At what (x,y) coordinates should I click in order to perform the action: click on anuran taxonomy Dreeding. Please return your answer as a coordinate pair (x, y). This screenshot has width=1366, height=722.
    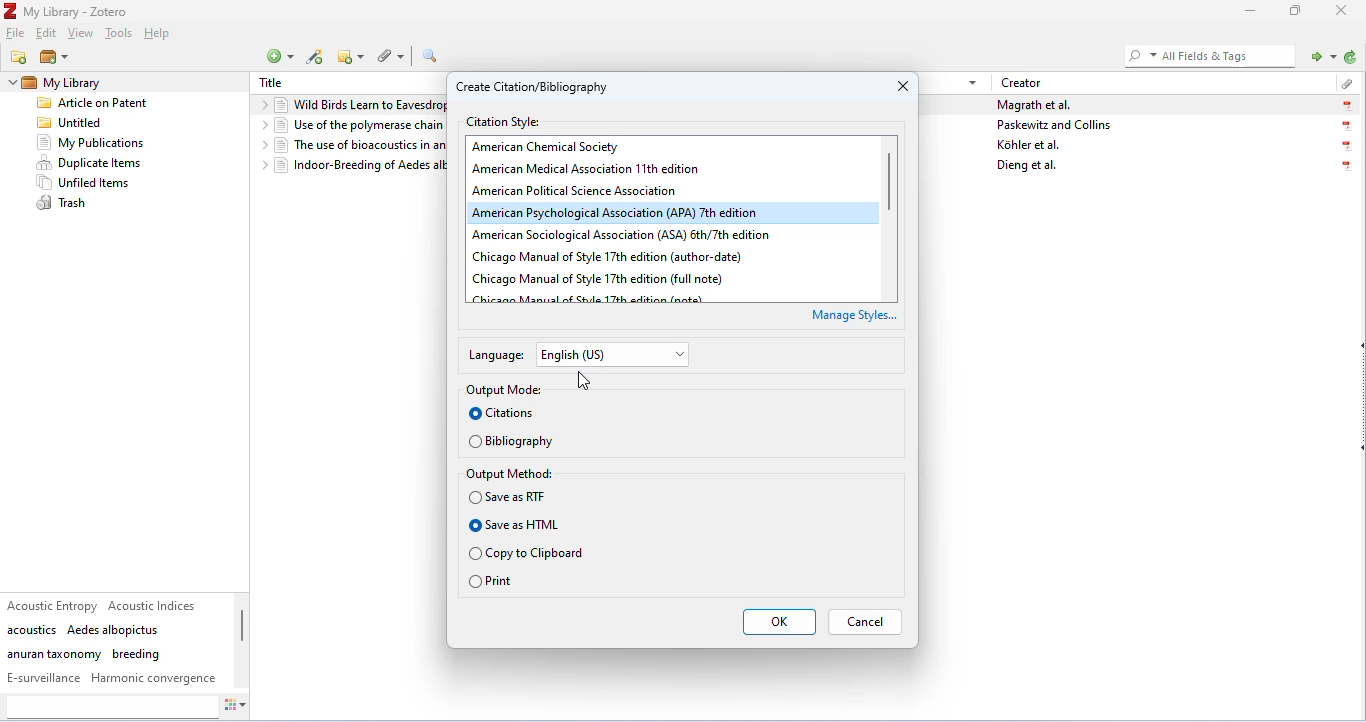
    Looking at the image, I should click on (84, 654).